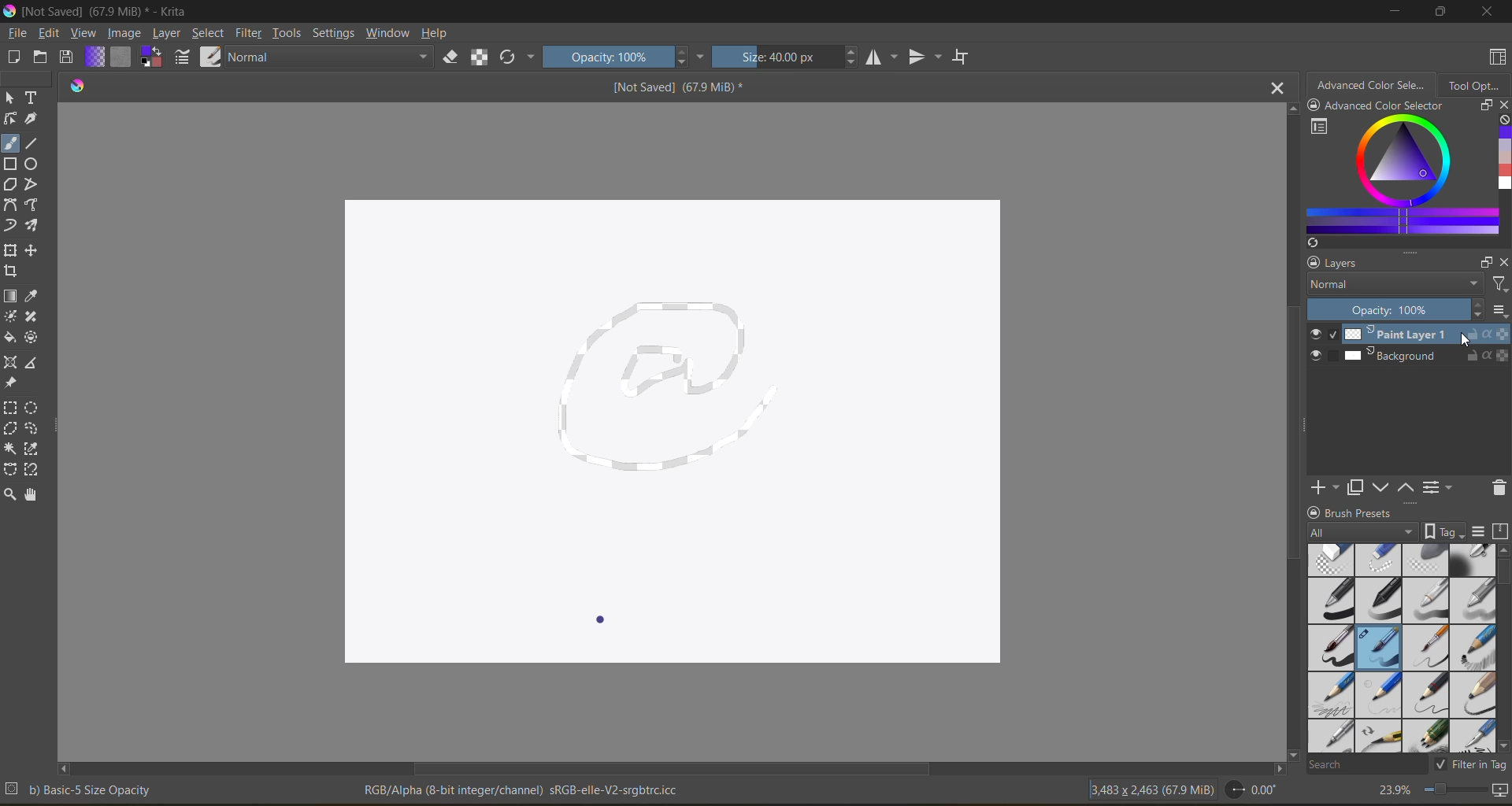  Describe the element at coordinates (1425, 648) in the screenshot. I see `brush` at that location.